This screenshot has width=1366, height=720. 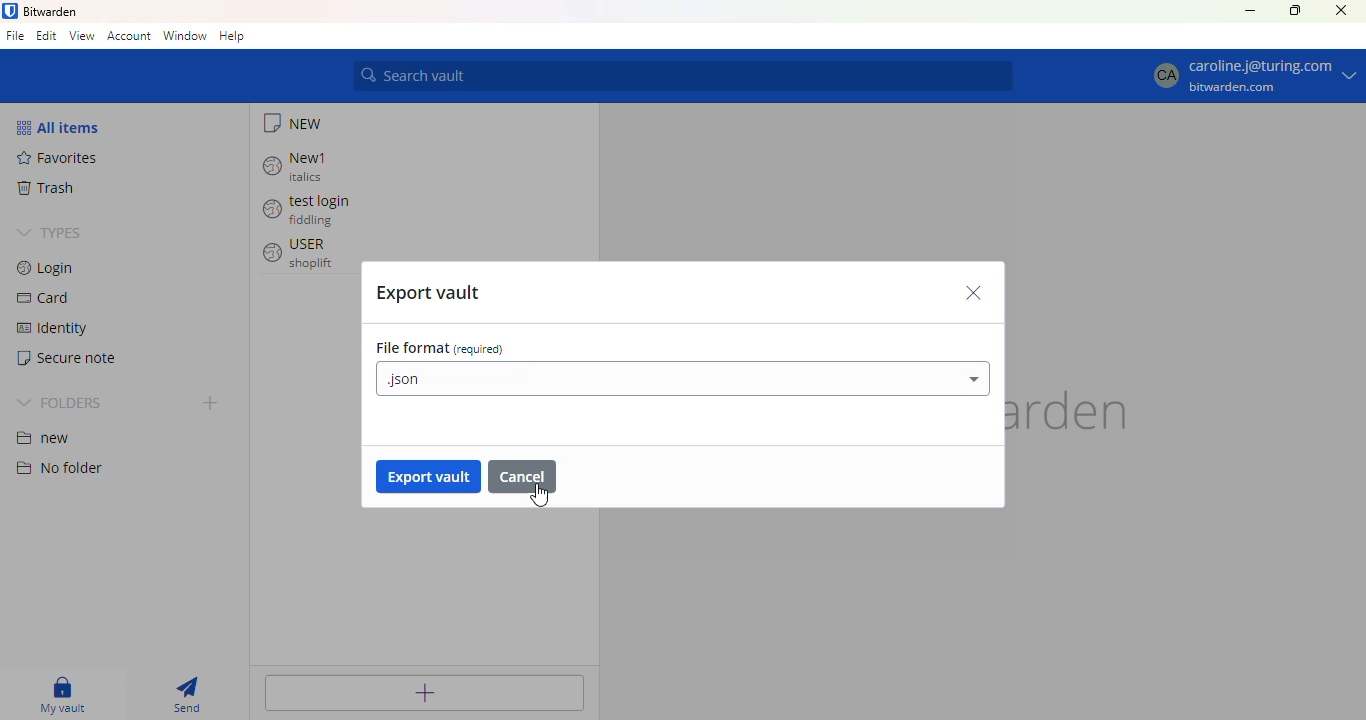 I want to click on close, so click(x=973, y=293).